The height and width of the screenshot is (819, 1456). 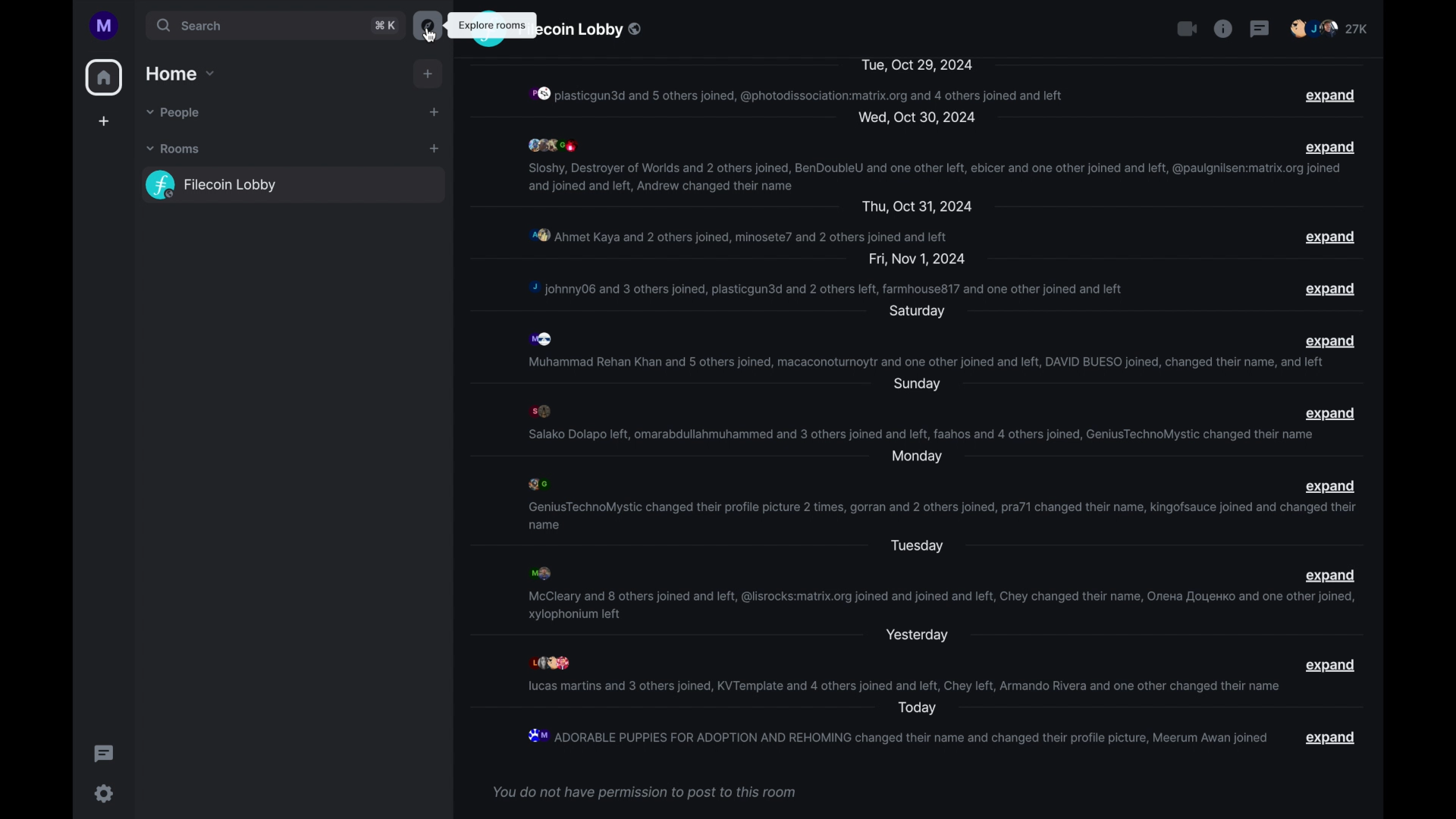 What do you see at coordinates (539, 573) in the screenshot?
I see `participants` at bounding box center [539, 573].